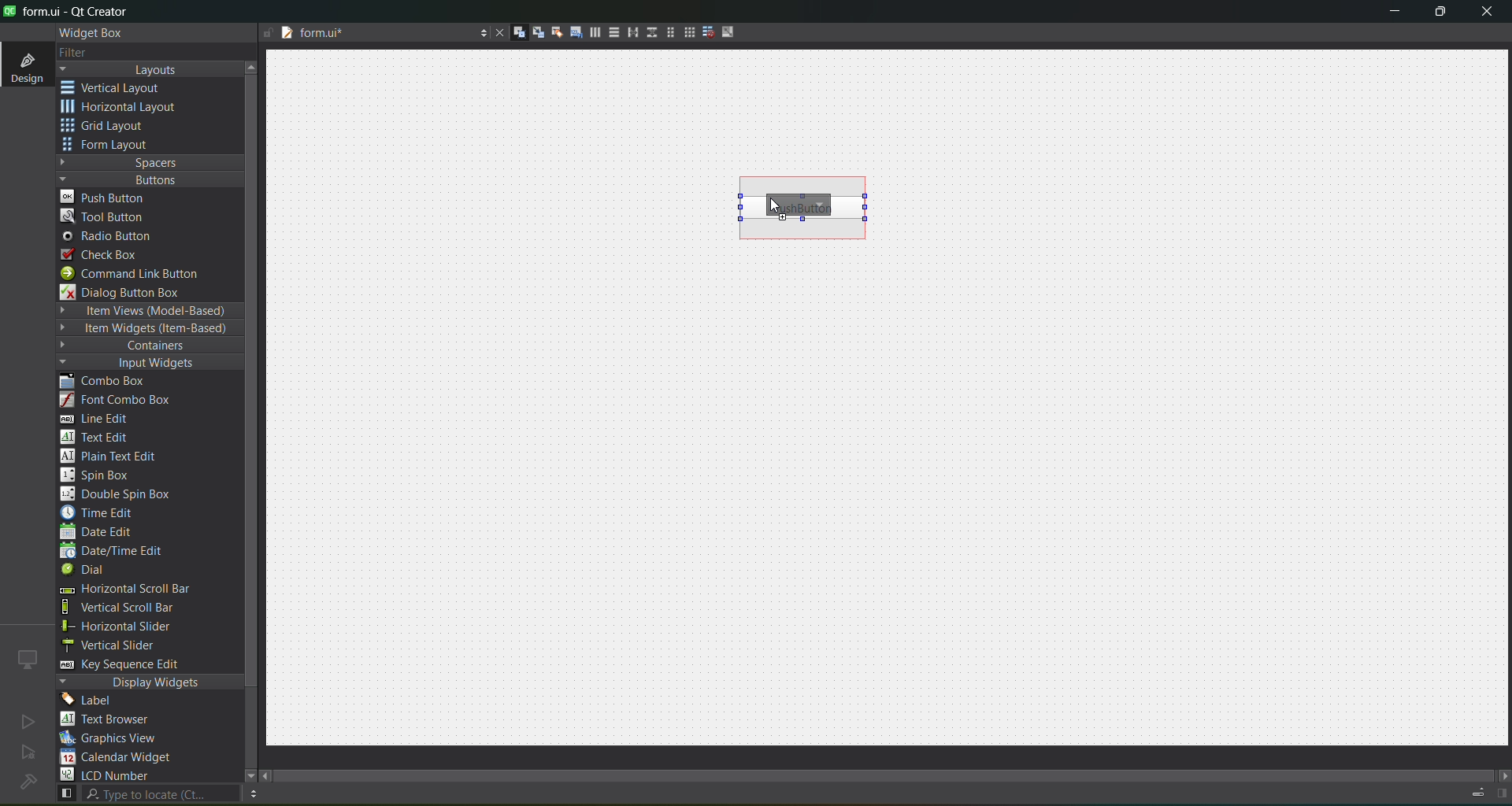 This screenshot has width=1512, height=806. I want to click on close, so click(1487, 13).